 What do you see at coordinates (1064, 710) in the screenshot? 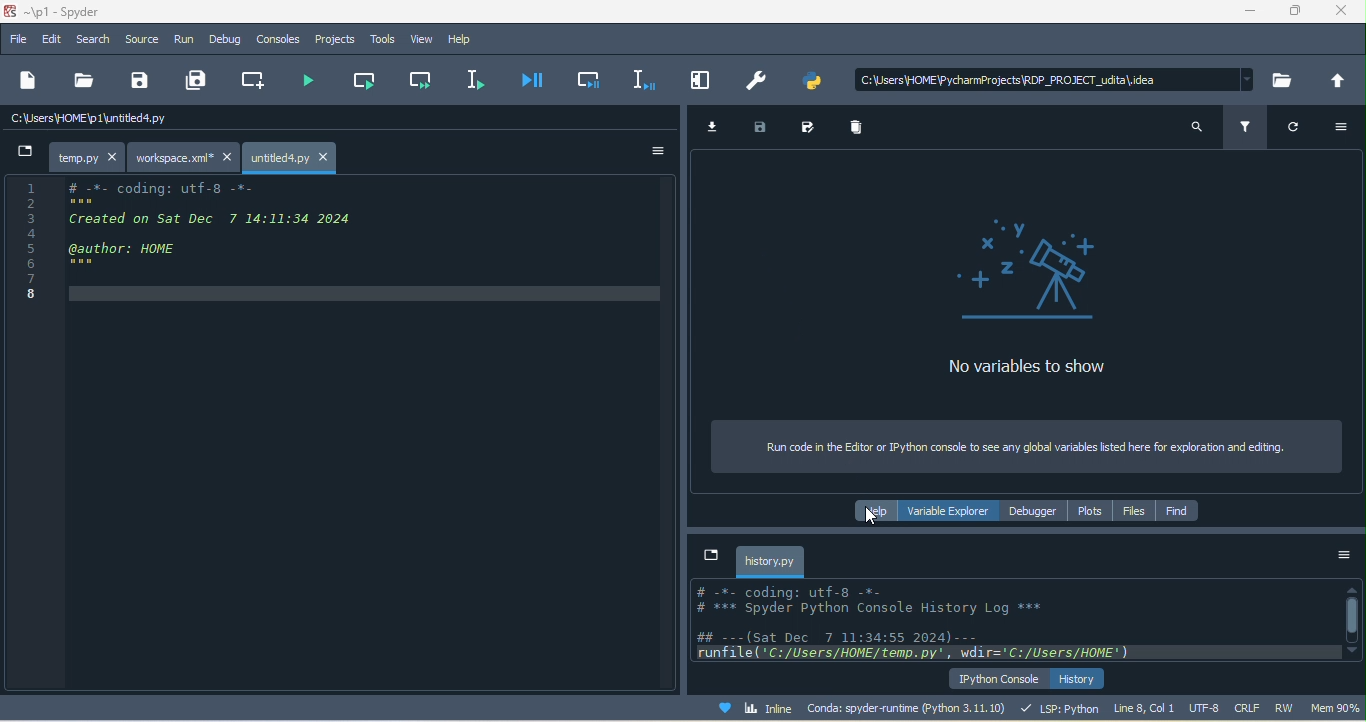
I see `lsp python` at bounding box center [1064, 710].